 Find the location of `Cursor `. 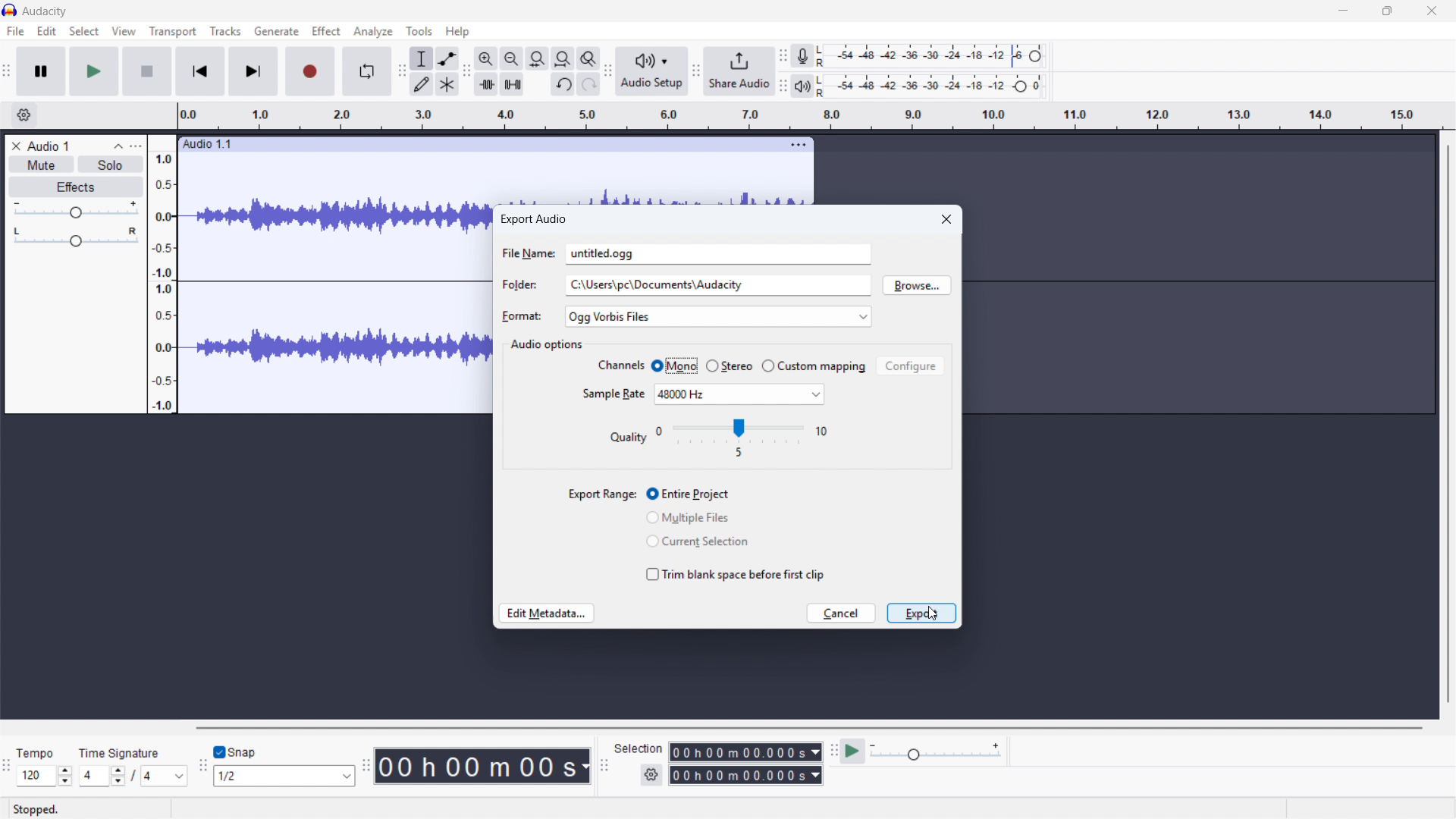

Cursor  is located at coordinates (930, 613).